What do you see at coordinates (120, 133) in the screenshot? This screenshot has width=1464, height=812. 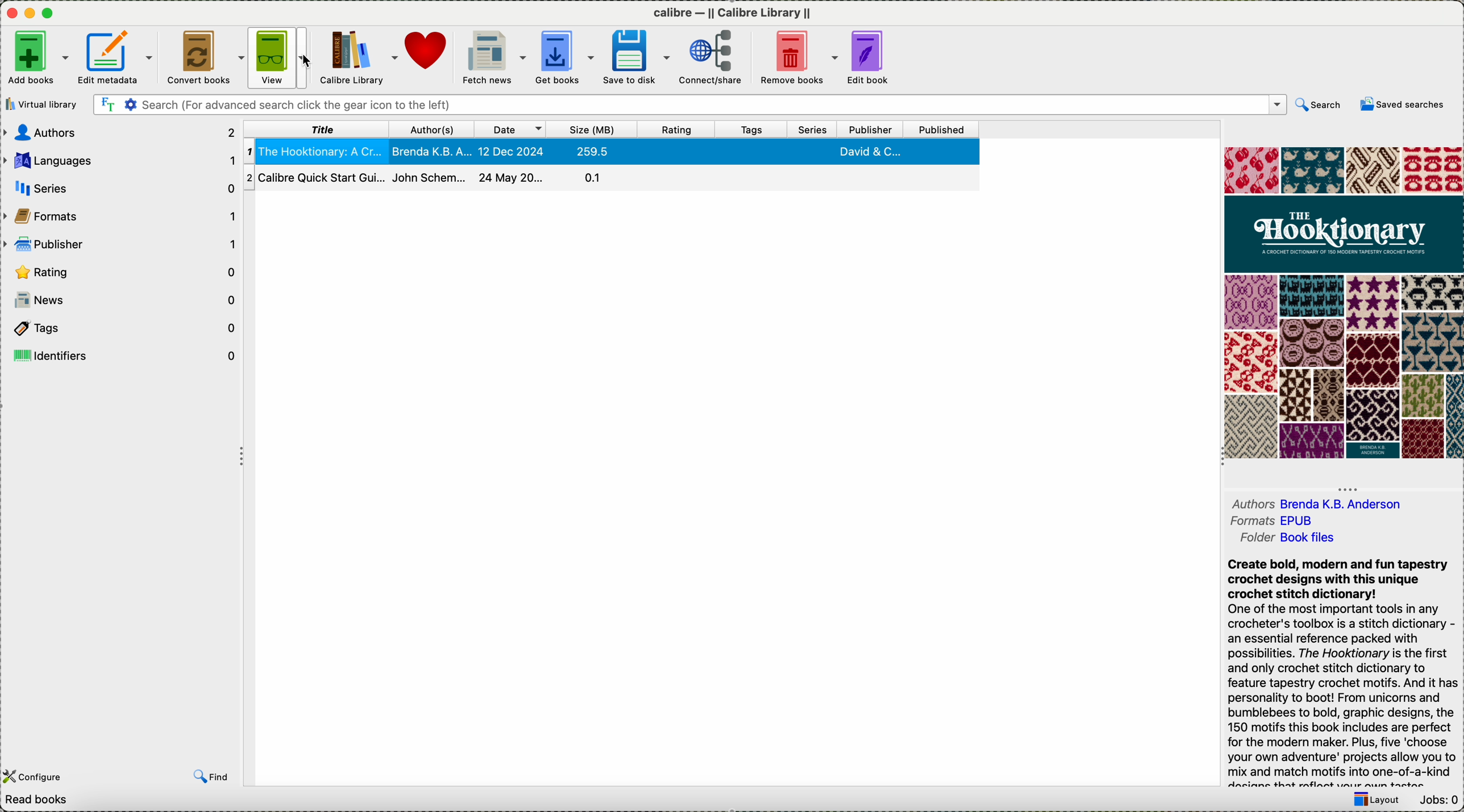 I see `authors` at bounding box center [120, 133].